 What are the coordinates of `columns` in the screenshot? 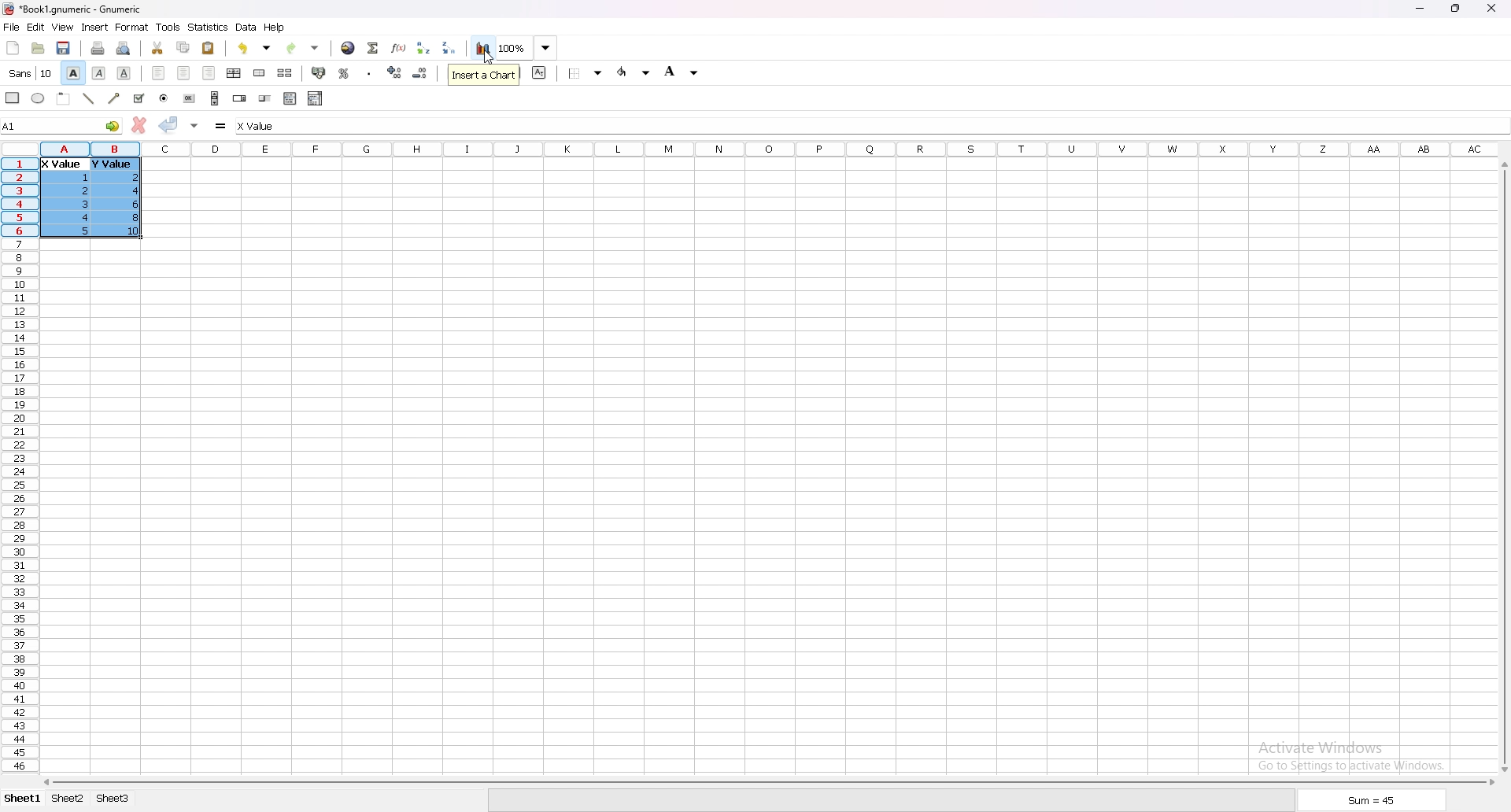 It's located at (770, 147).